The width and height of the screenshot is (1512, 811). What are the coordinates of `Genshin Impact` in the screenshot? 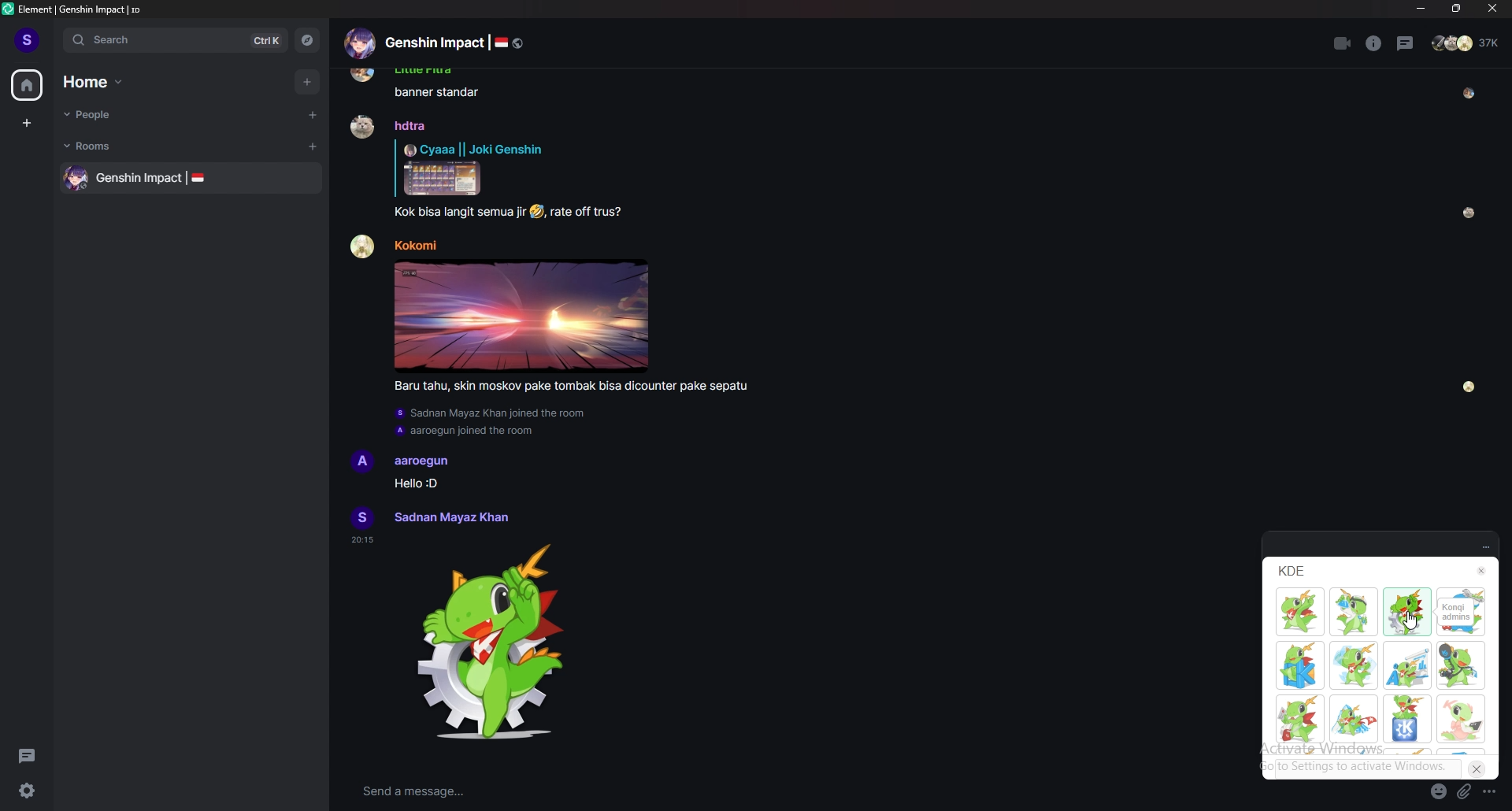 It's located at (139, 179).